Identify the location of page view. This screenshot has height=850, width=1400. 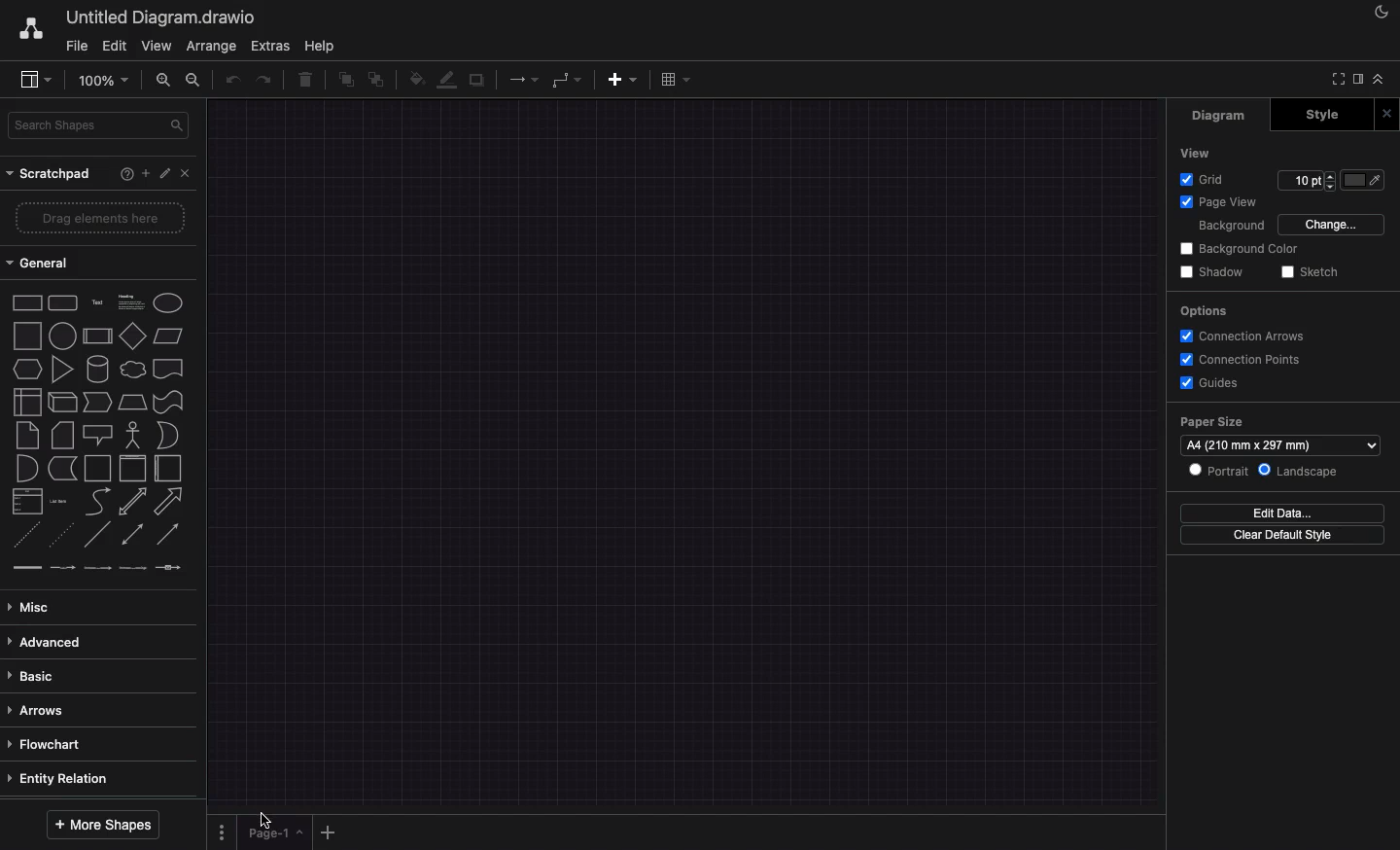
(1219, 203).